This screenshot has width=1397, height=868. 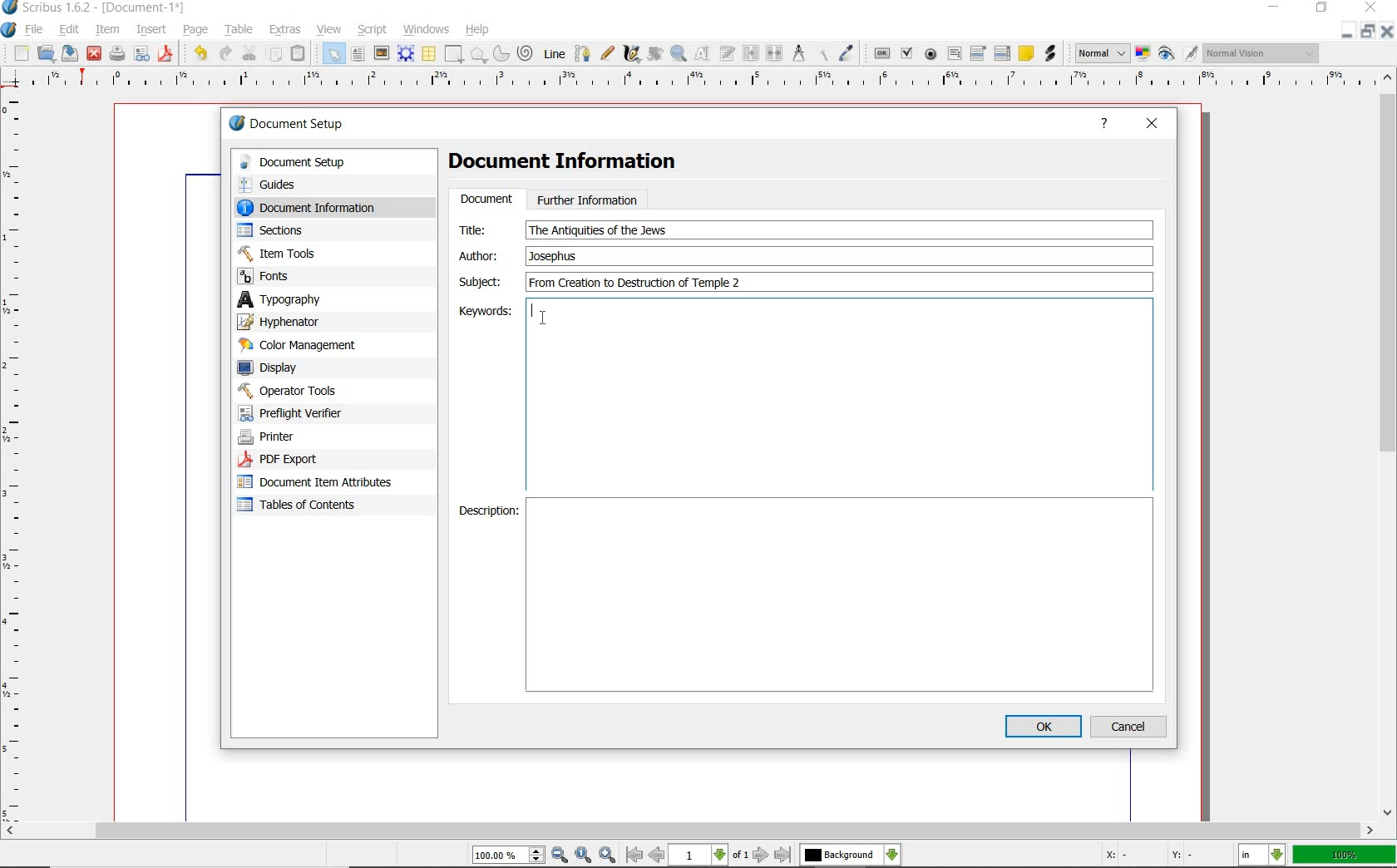 What do you see at coordinates (227, 54) in the screenshot?
I see `redo` at bounding box center [227, 54].